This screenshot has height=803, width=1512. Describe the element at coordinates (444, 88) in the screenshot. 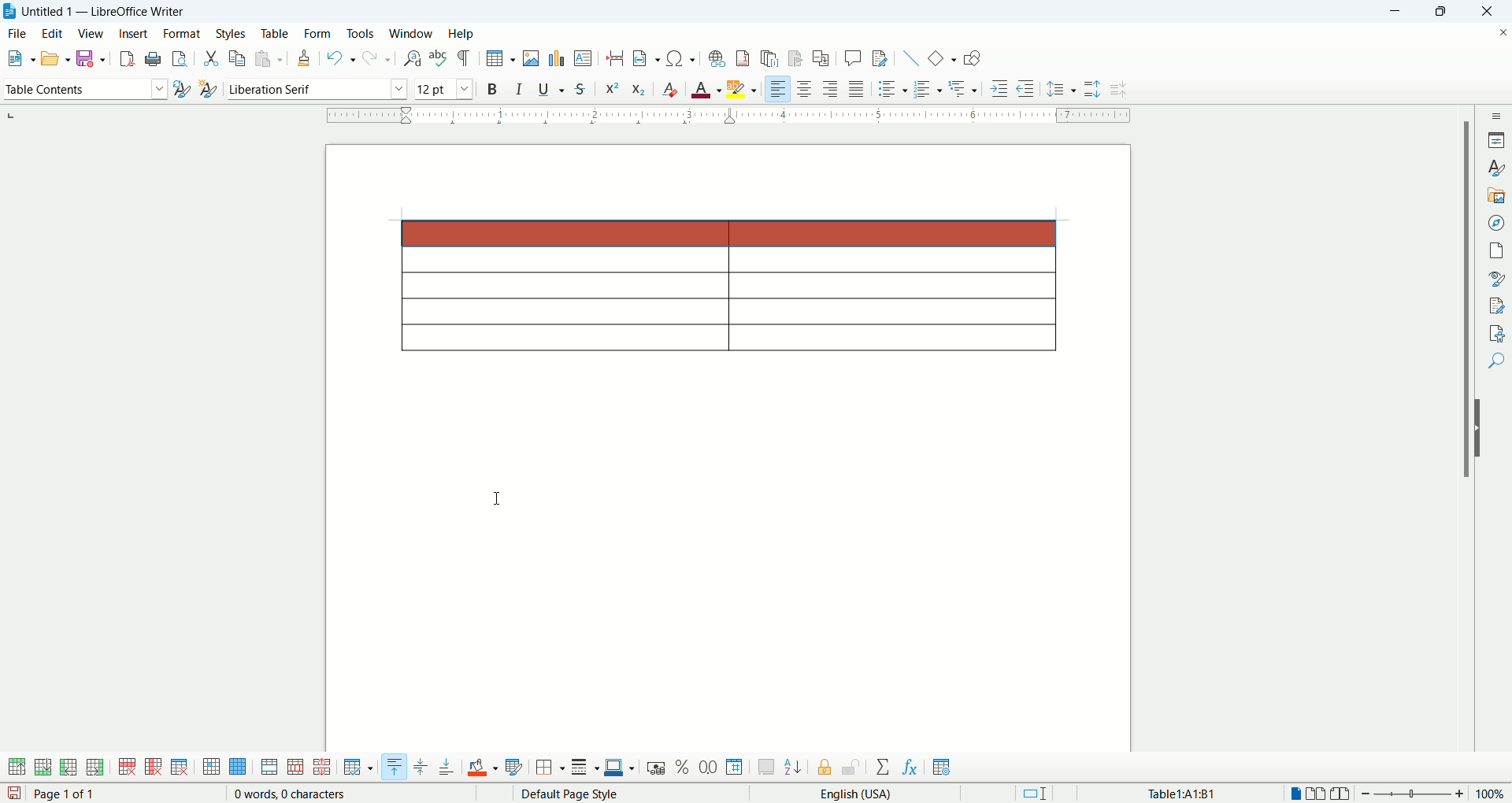

I see `font size` at that location.